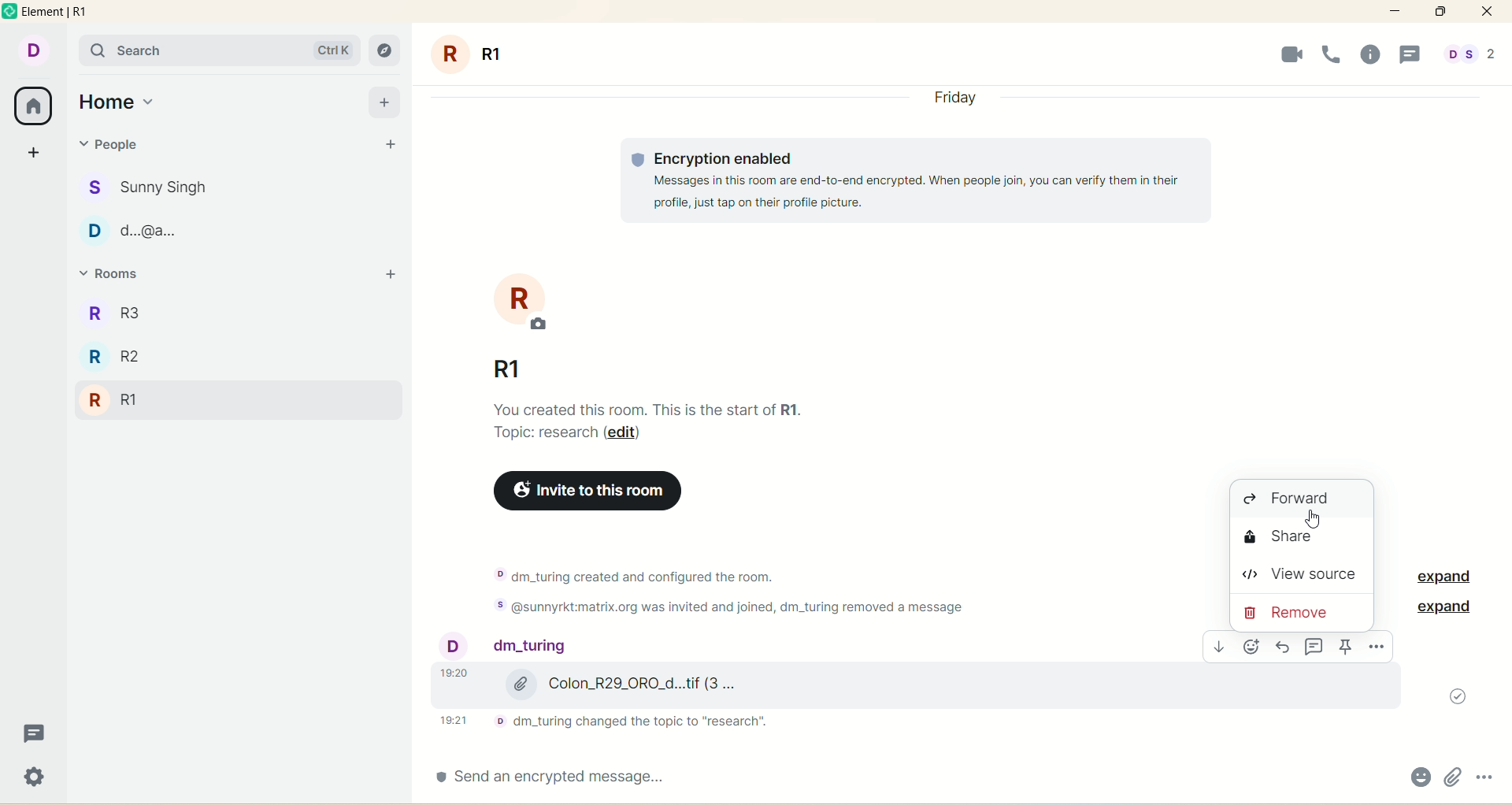  What do you see at coordinates (753, 589) in the screenshot?
I see `text` at bounding box center [753, 589].